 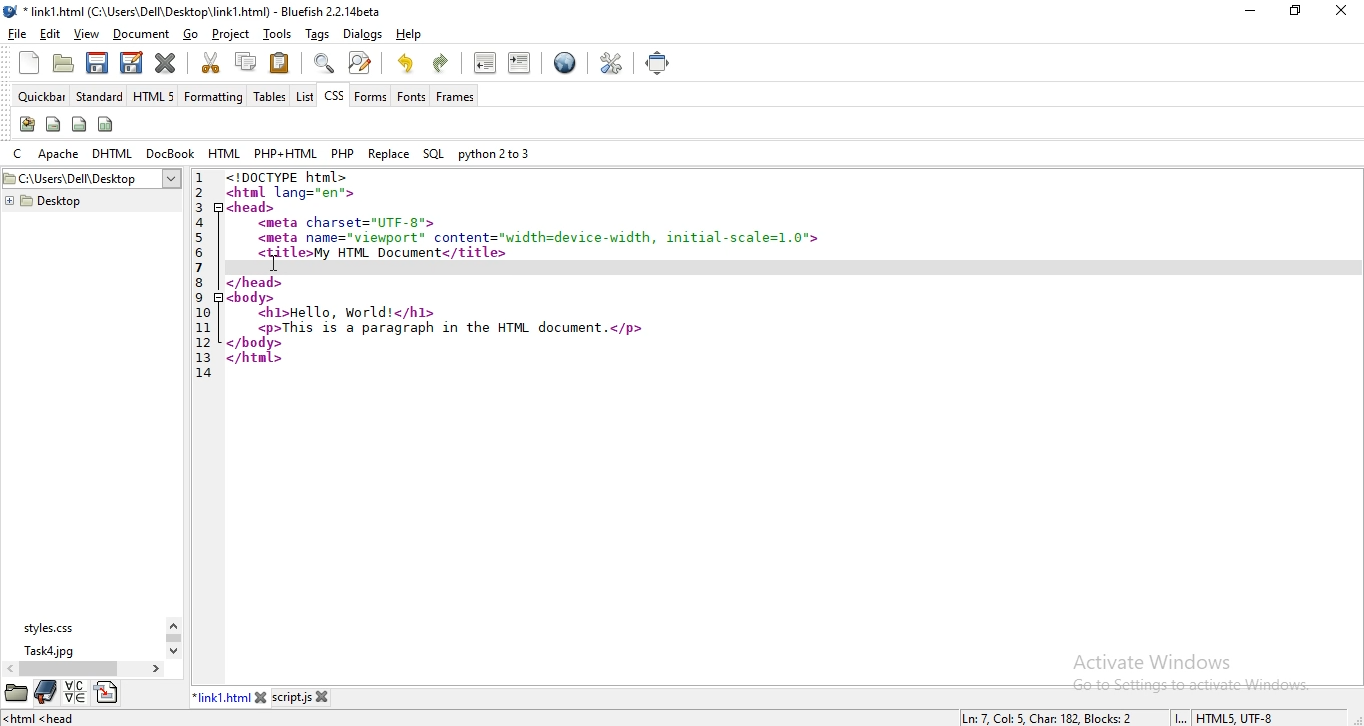 What do you see at coordinates (45, 691) in the screenshot?
I see `bookmark` at bounding box center [45, 691].